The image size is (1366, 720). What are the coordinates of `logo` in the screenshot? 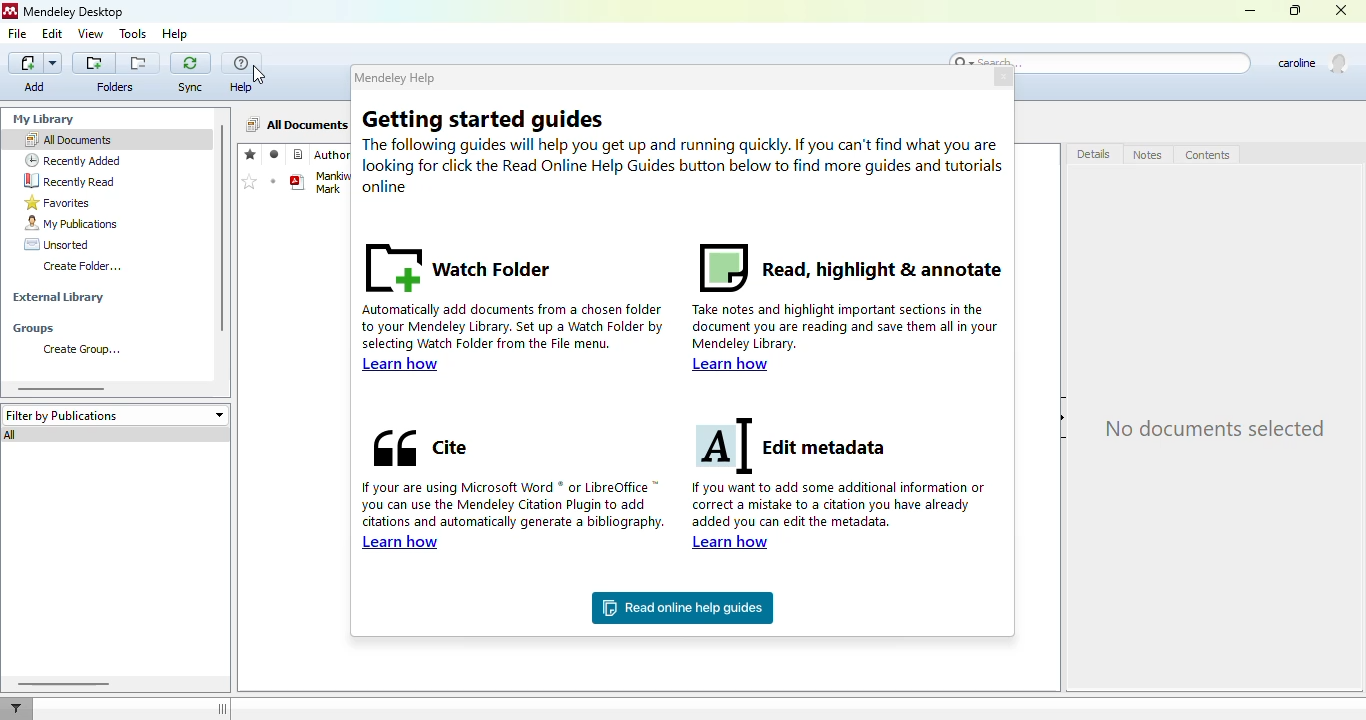 It's located at (11, 11).